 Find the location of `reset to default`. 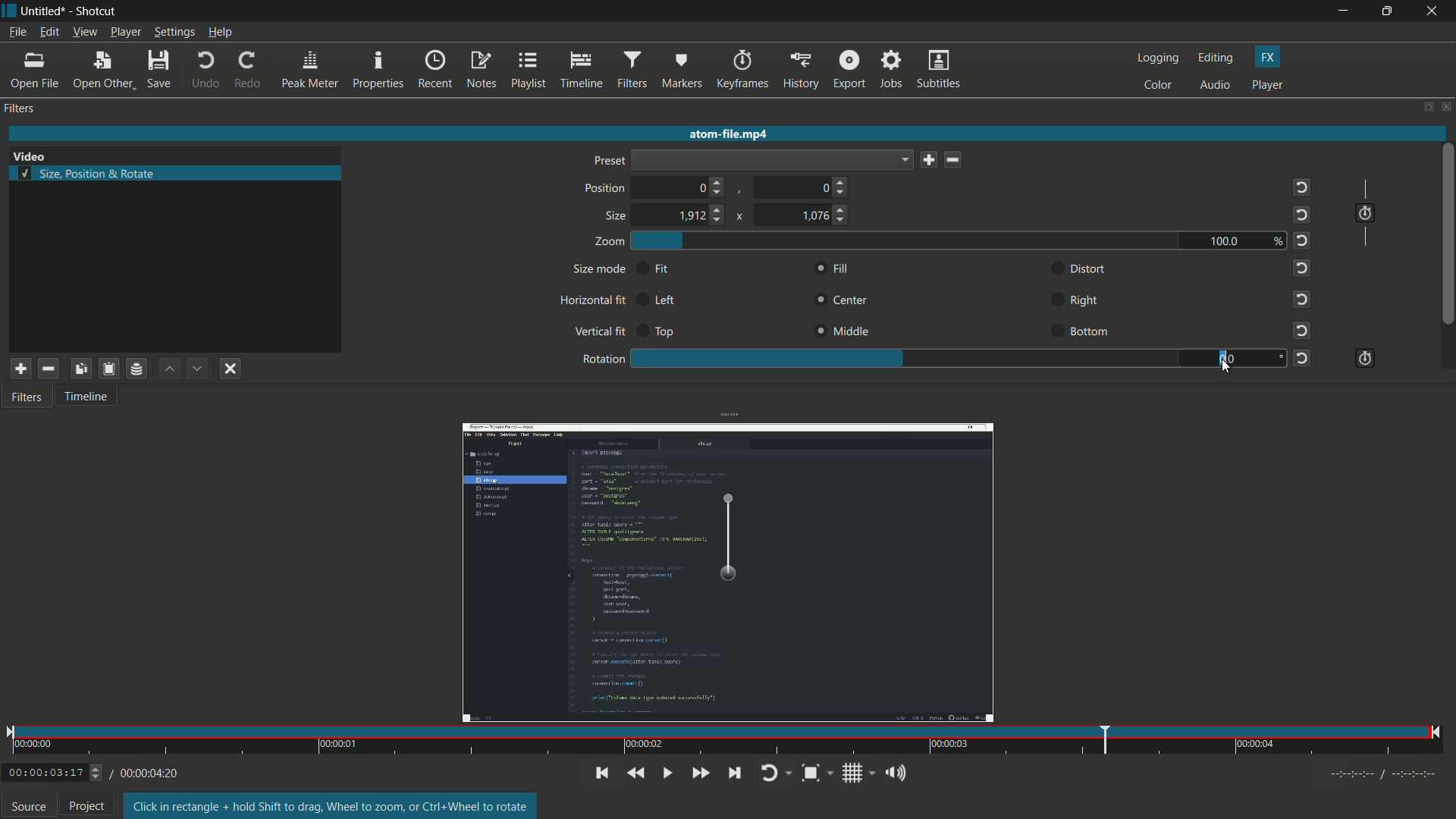

reset to default is located at coordinates (1302, 266).